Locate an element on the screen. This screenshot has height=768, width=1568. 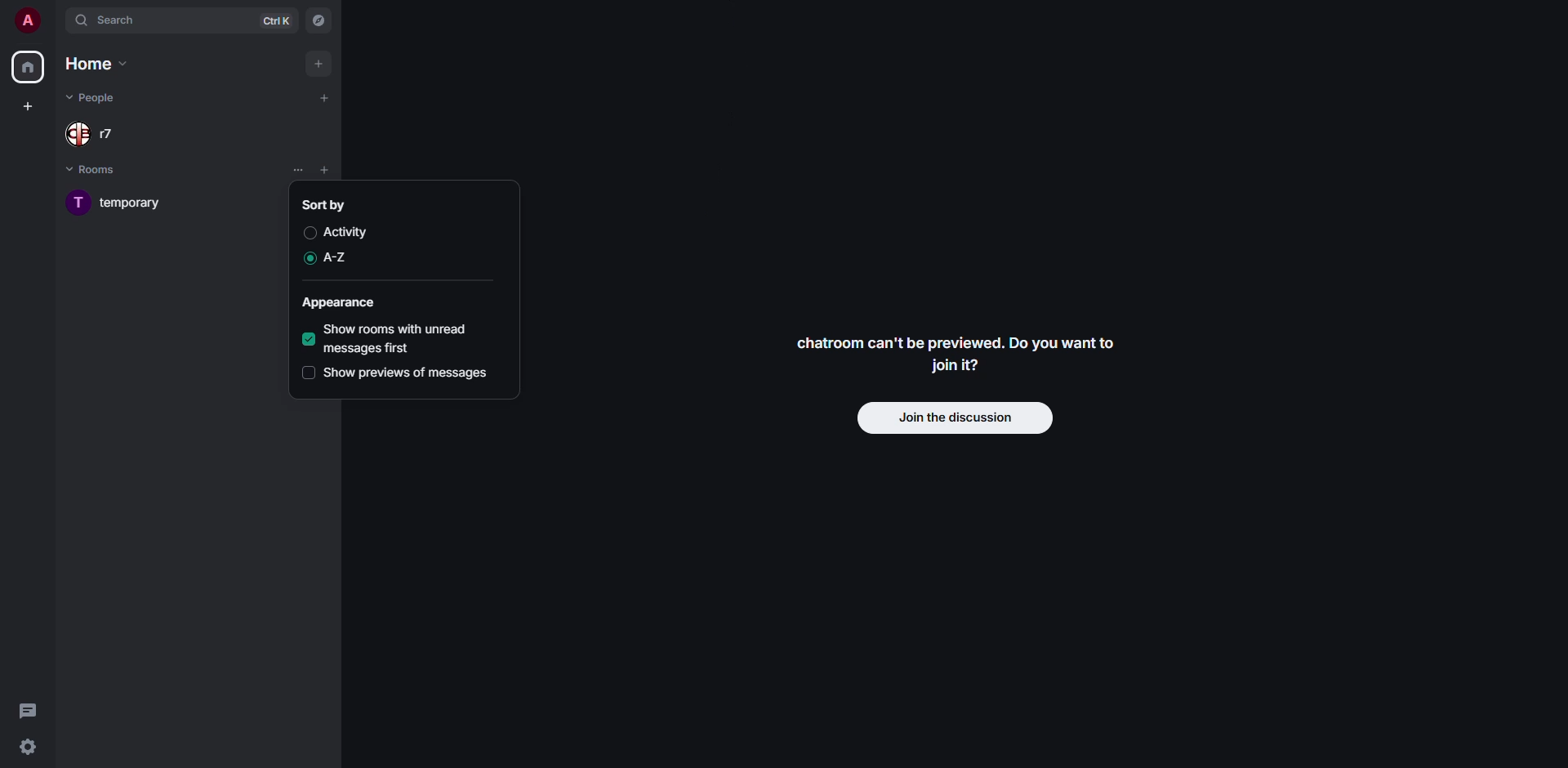
profile is located at coordinates (28, 21).